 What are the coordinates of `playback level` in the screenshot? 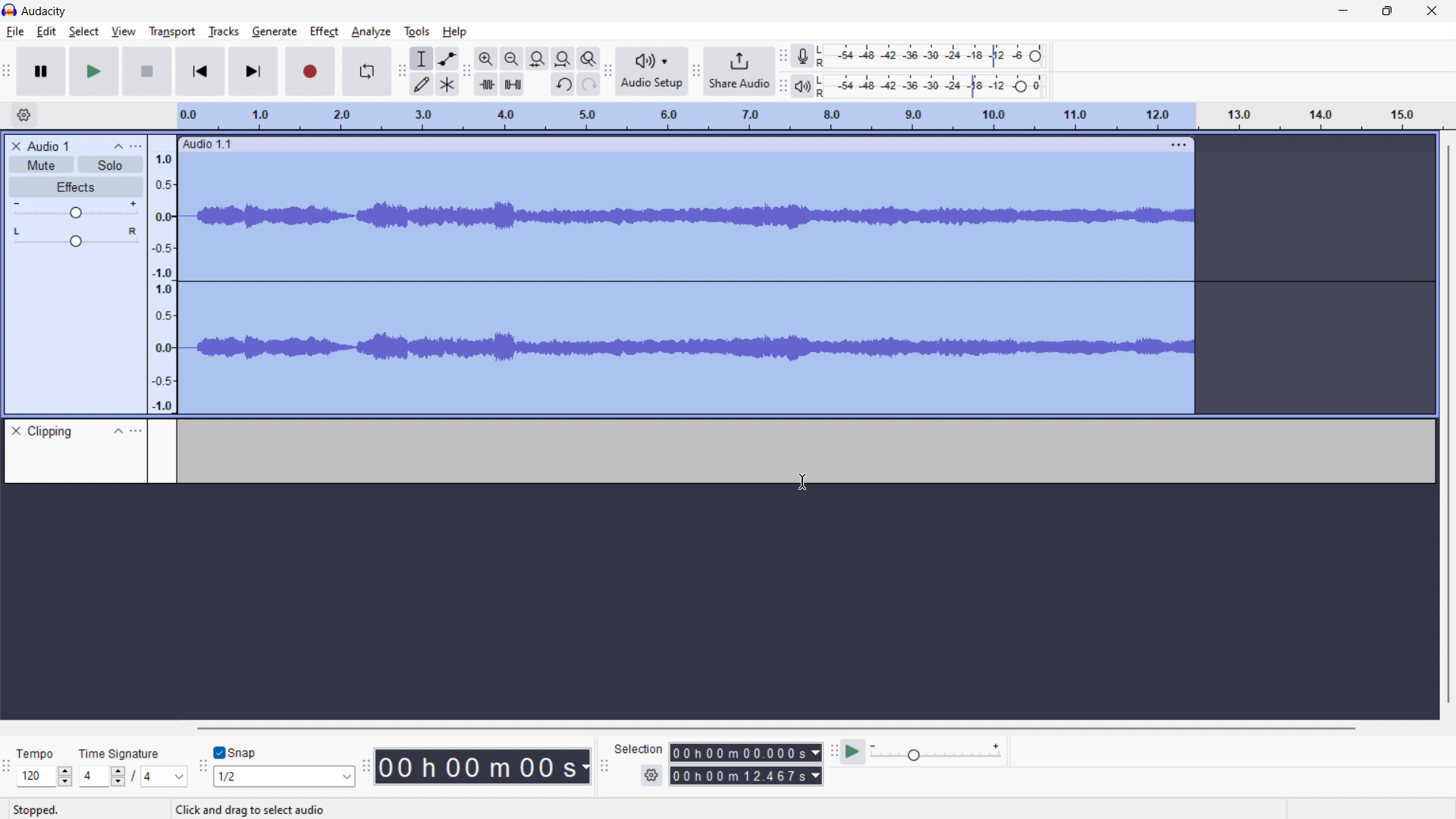 It's located at (931, 86).